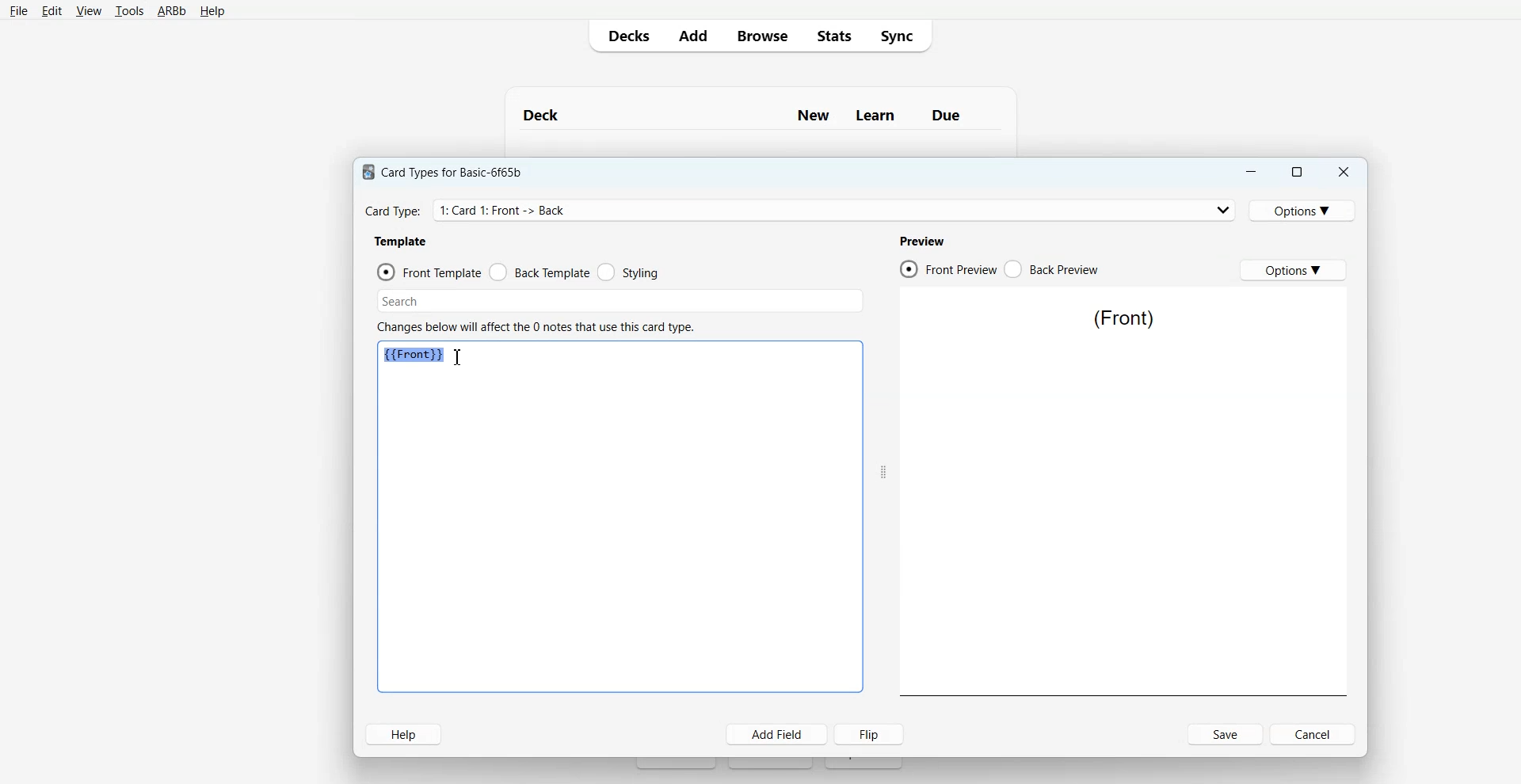  Describe the element at coordinates (1051, 268) in the screenshot. I see `Back Preview` at that location.